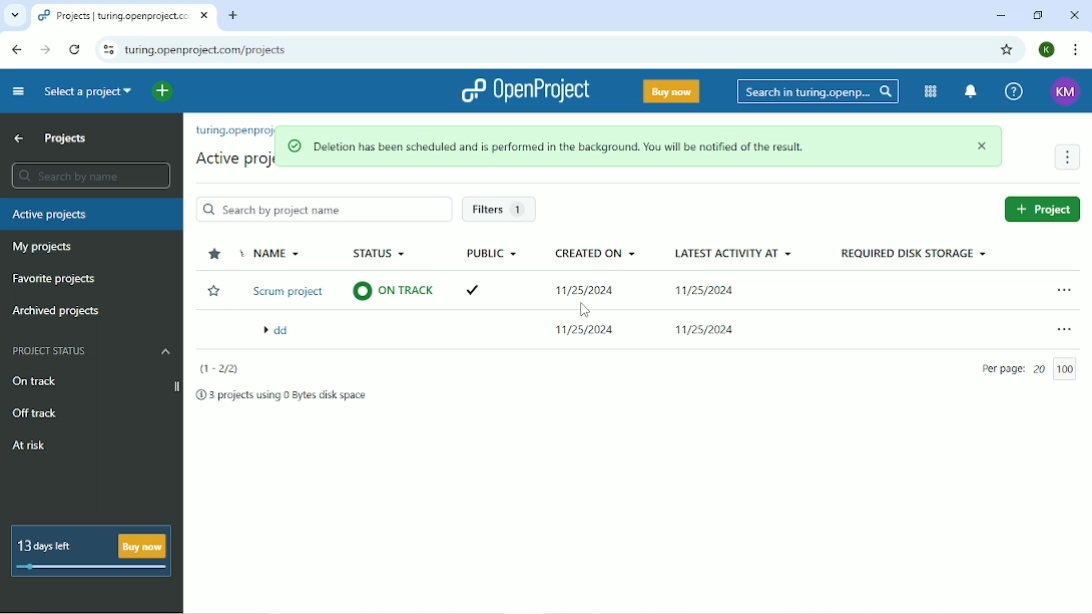 This screenshot has height=614, width=1092. Describe the element at coordinates (292, 292) in the screenshot. I see `Demo project` at that location.